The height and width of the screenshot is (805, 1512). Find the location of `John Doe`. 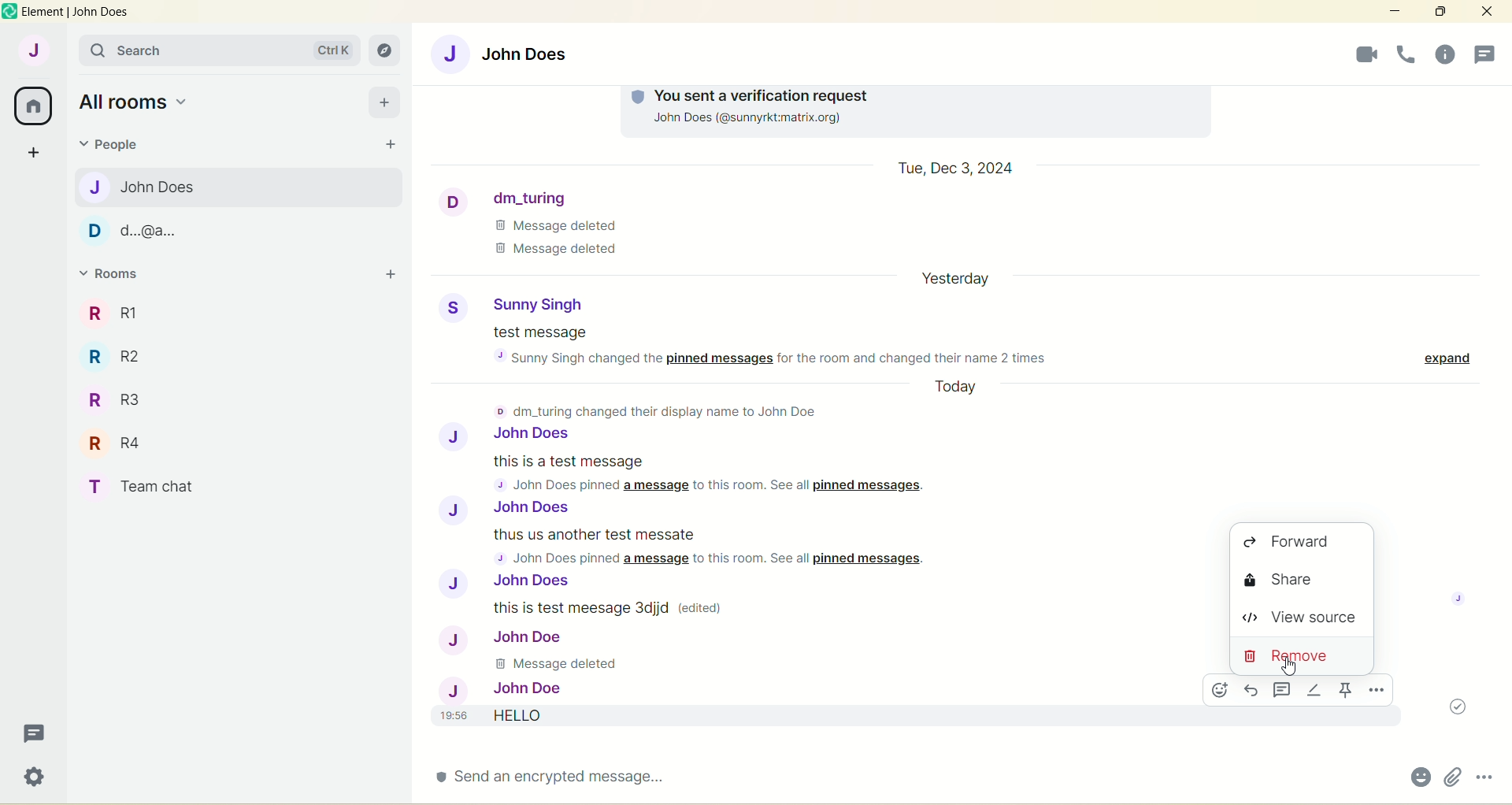

John Doe is located at coordinates (500, 687).